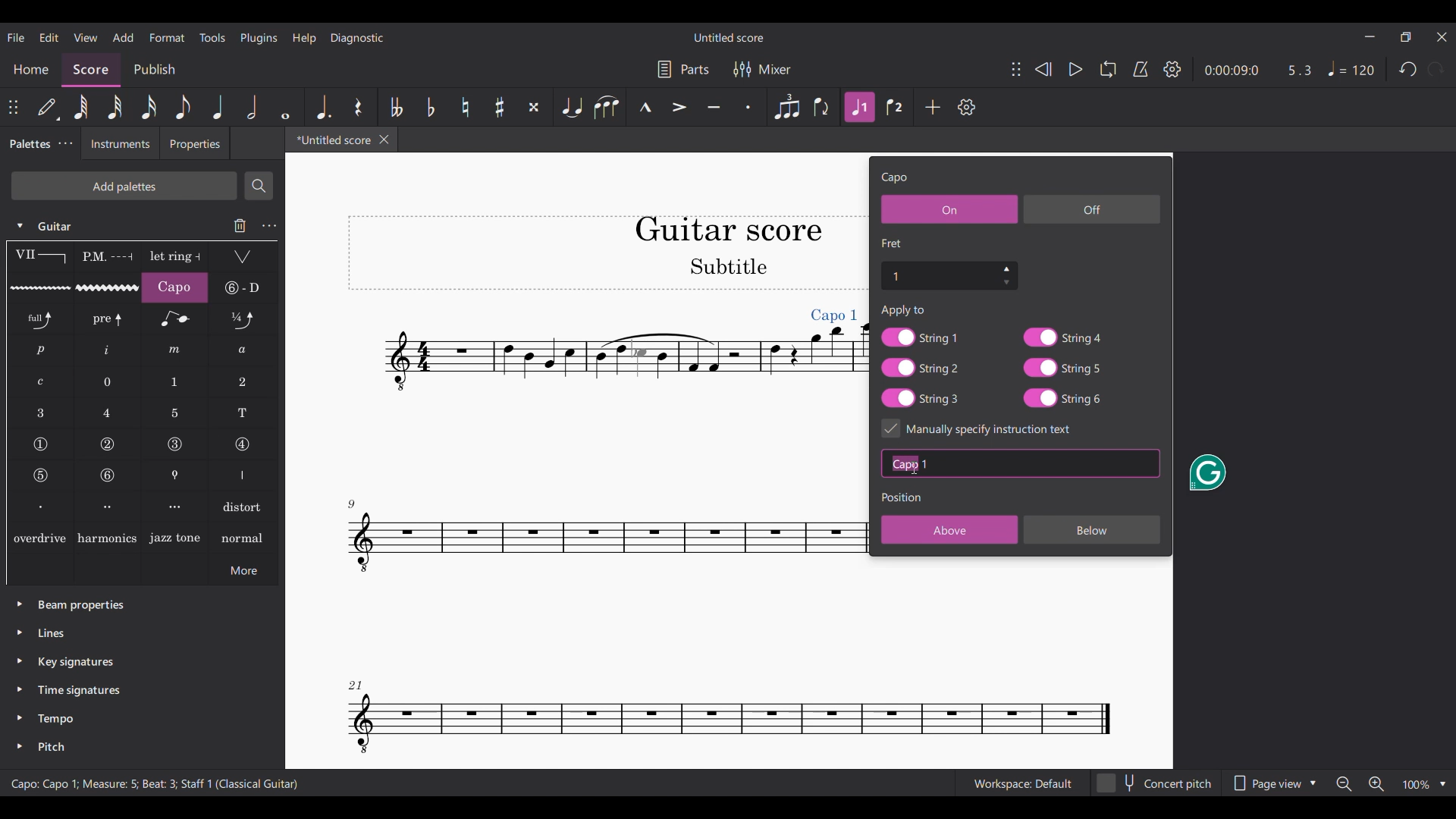  I want to click on Toggle flat, so click(430, 107).